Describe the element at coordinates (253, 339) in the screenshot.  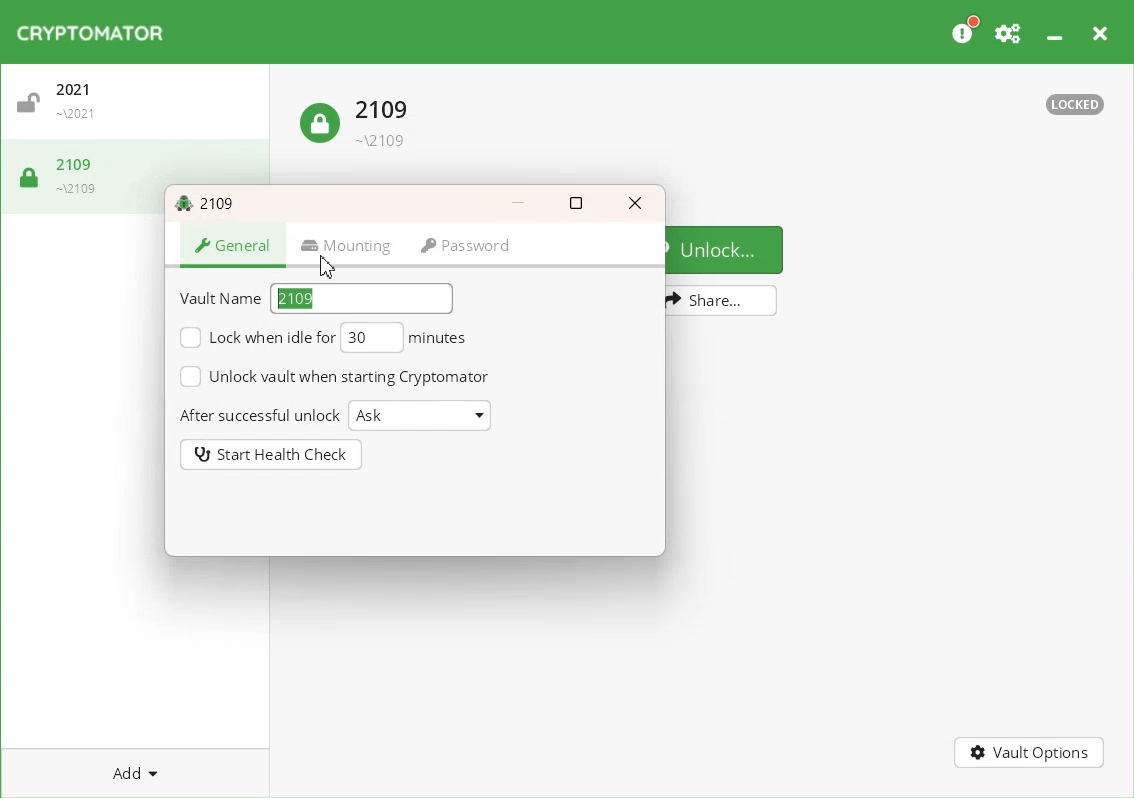
I see `Lock when idle for min.` at that location.